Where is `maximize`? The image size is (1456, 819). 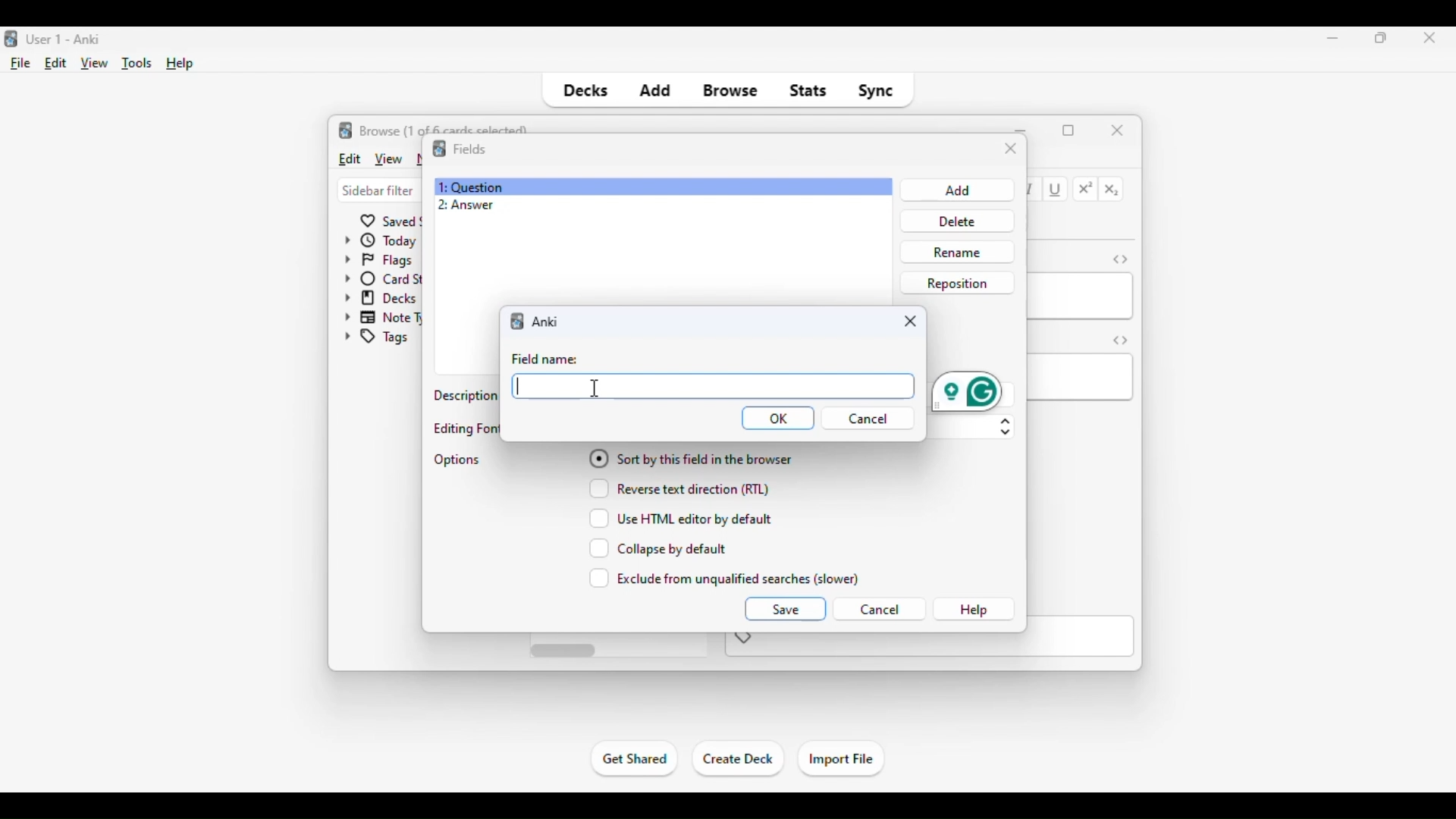
maximize is located at coordinates (1382, 37).